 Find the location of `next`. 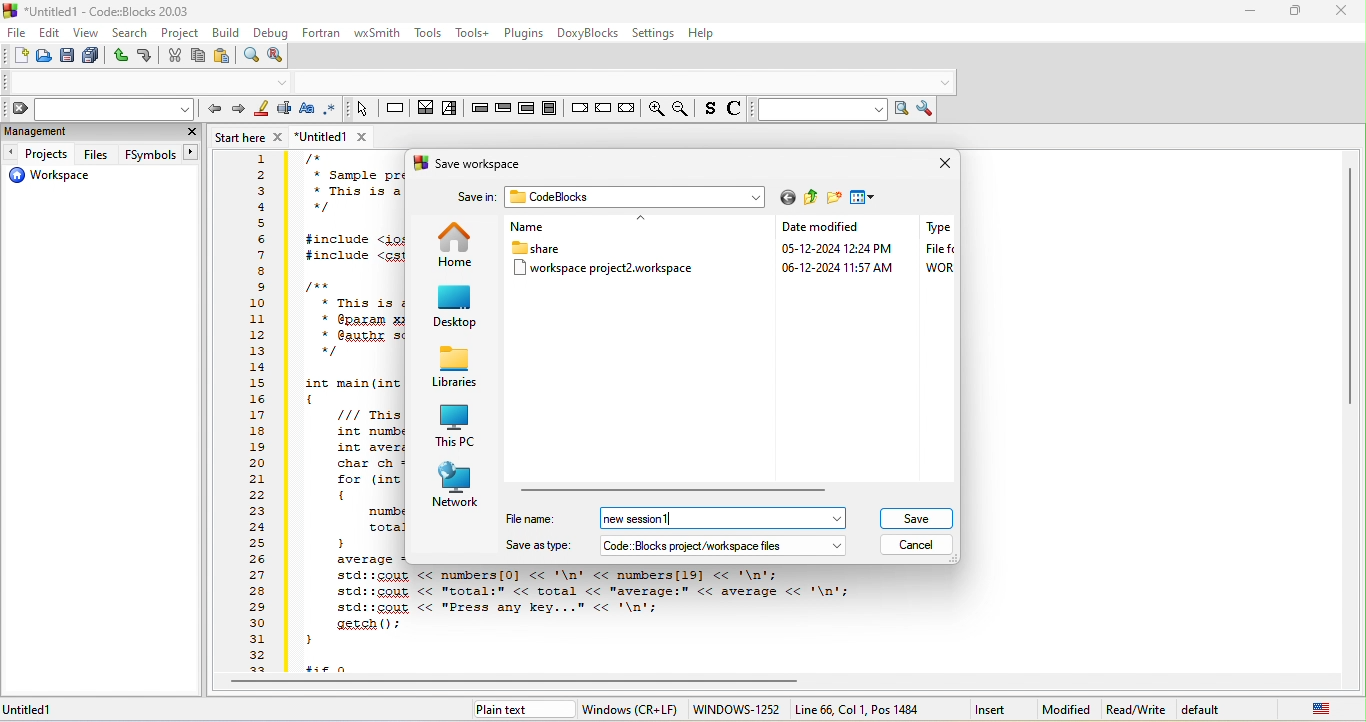

next is located at coordinates (237, 112).